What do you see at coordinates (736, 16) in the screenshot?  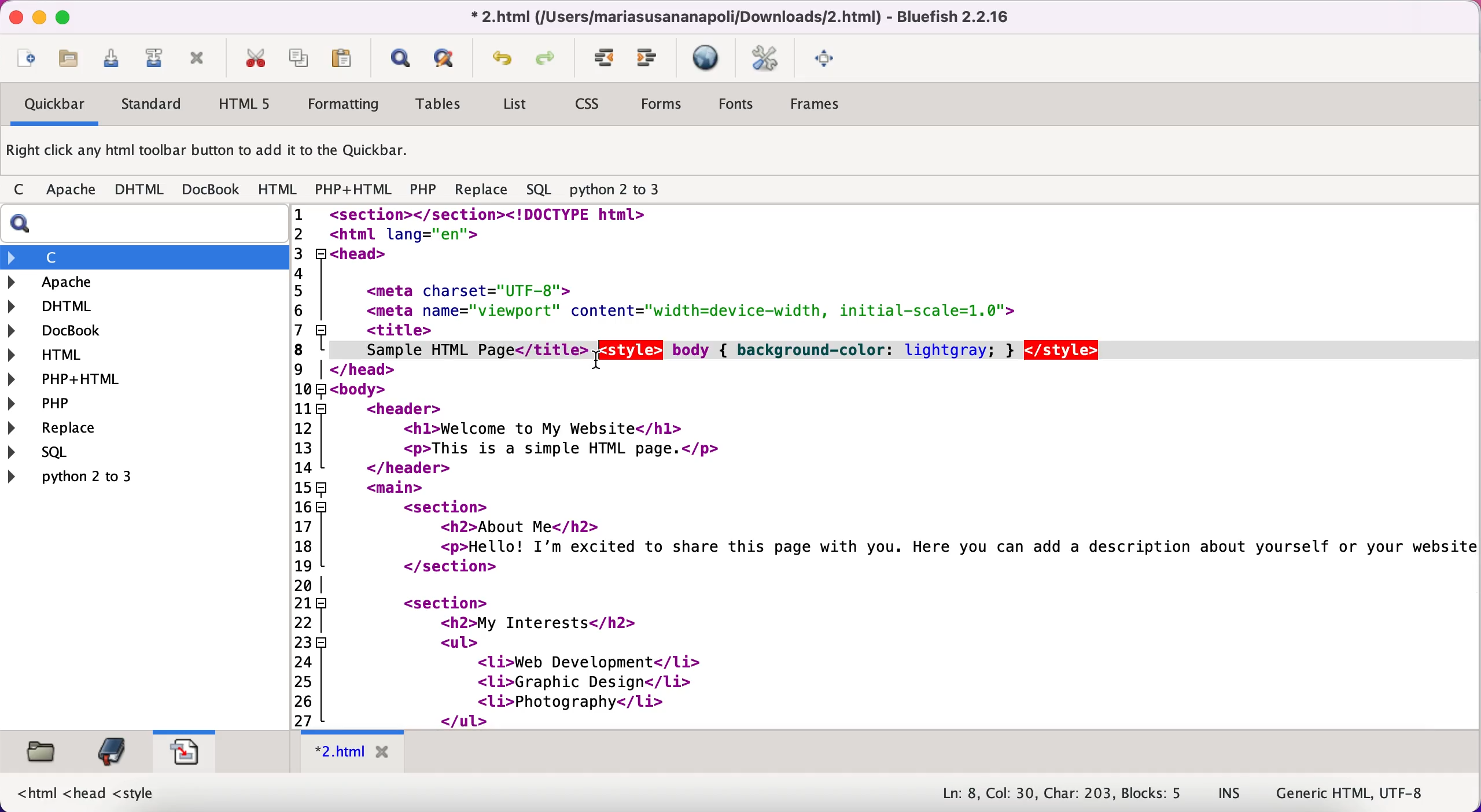 I see `* 2.html (/Users/mariasusananapoli/Downloads/2.html) - Bluefish 2.2.16` at bounding box center [736, 16].